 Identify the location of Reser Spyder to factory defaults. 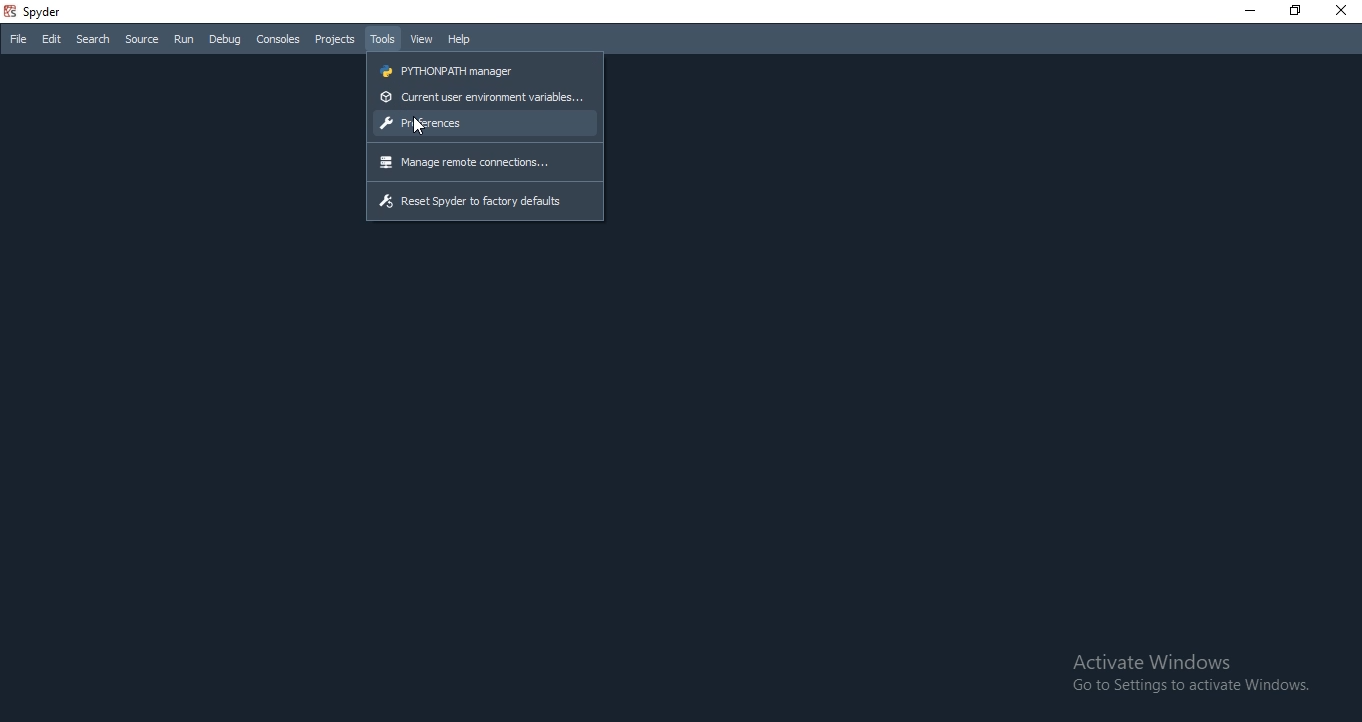
(471, 198).